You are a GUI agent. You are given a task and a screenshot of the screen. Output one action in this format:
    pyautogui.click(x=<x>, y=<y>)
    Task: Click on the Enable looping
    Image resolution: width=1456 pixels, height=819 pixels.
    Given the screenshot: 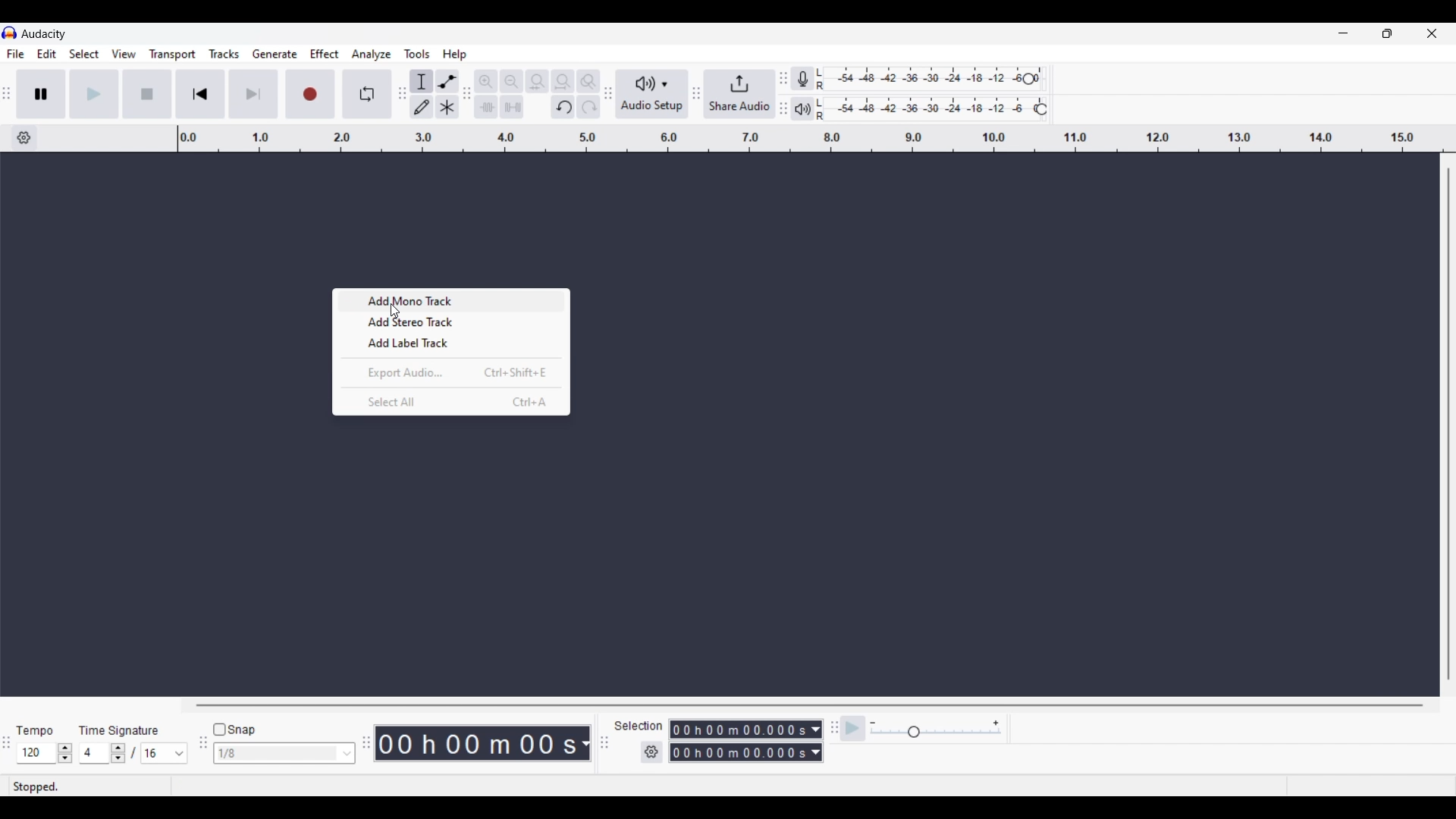 What is the action you would take?
    pyautogui.click(x=368, y=94)
    